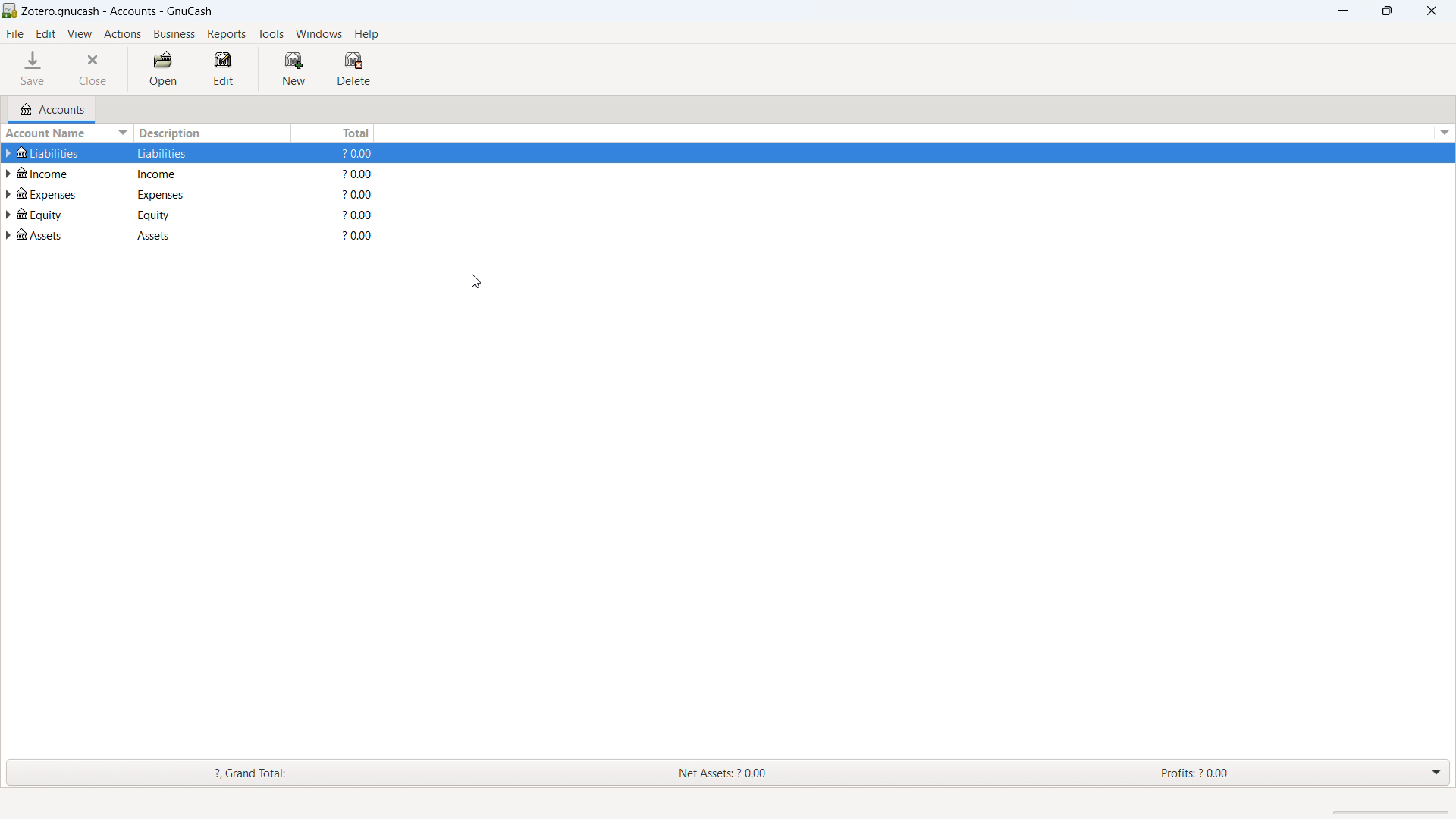 This screenshot has height=819, width=1456. I want to click on title, so click(118, 11).